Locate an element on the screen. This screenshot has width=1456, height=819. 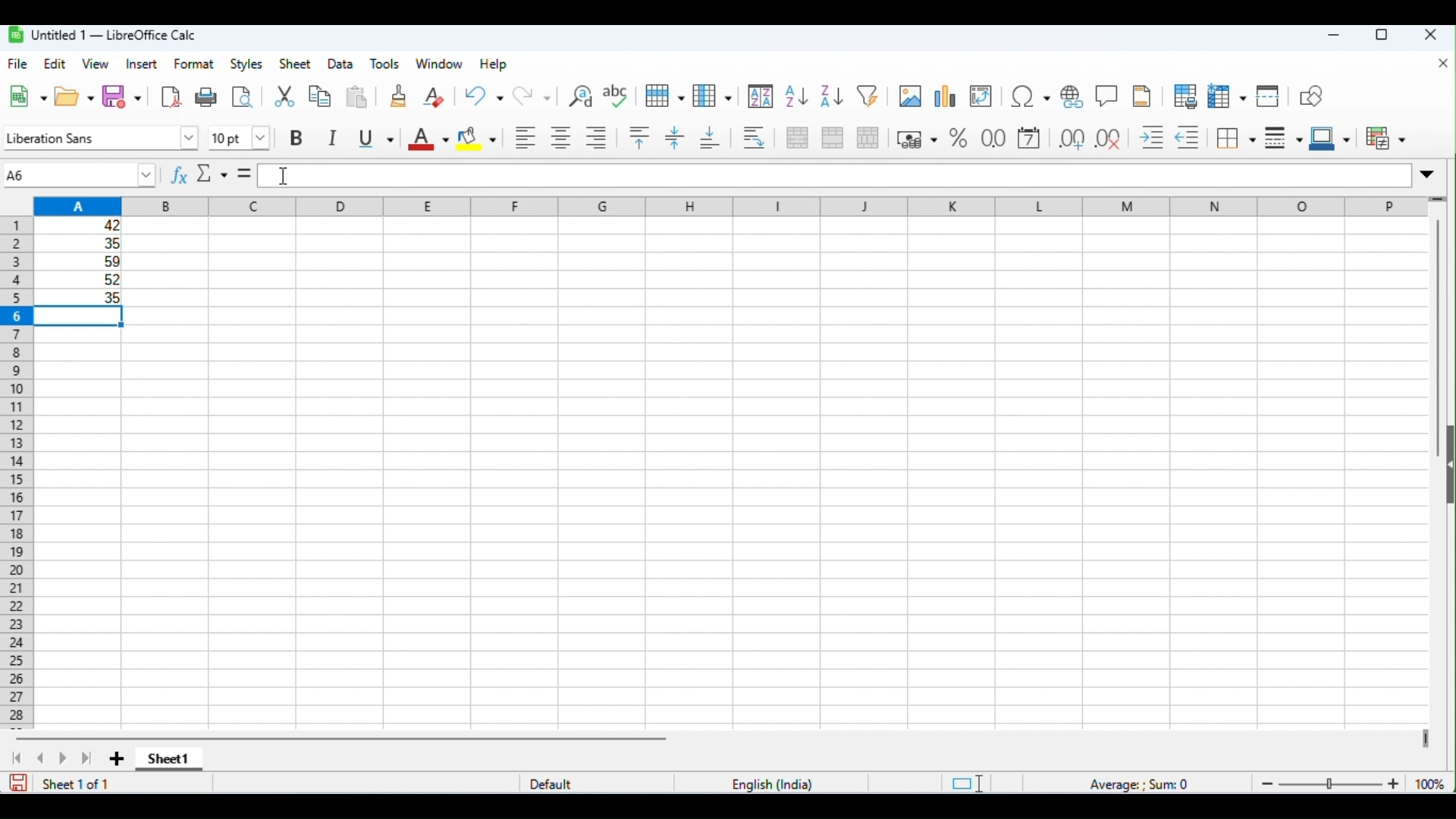
data is located at coordinates (341, 64).